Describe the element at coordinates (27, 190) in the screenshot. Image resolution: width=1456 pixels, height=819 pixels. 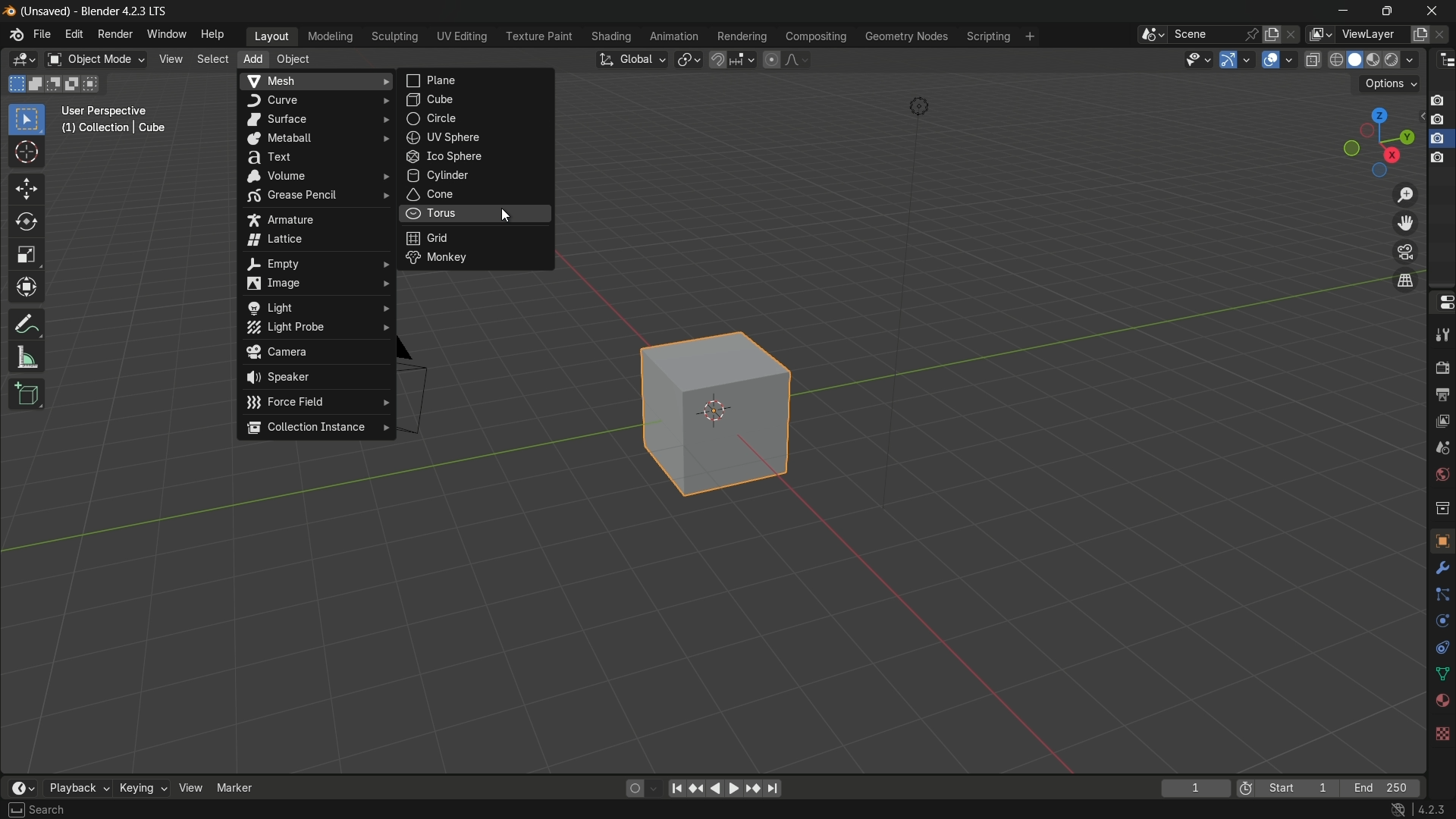
I see `move` at that location.